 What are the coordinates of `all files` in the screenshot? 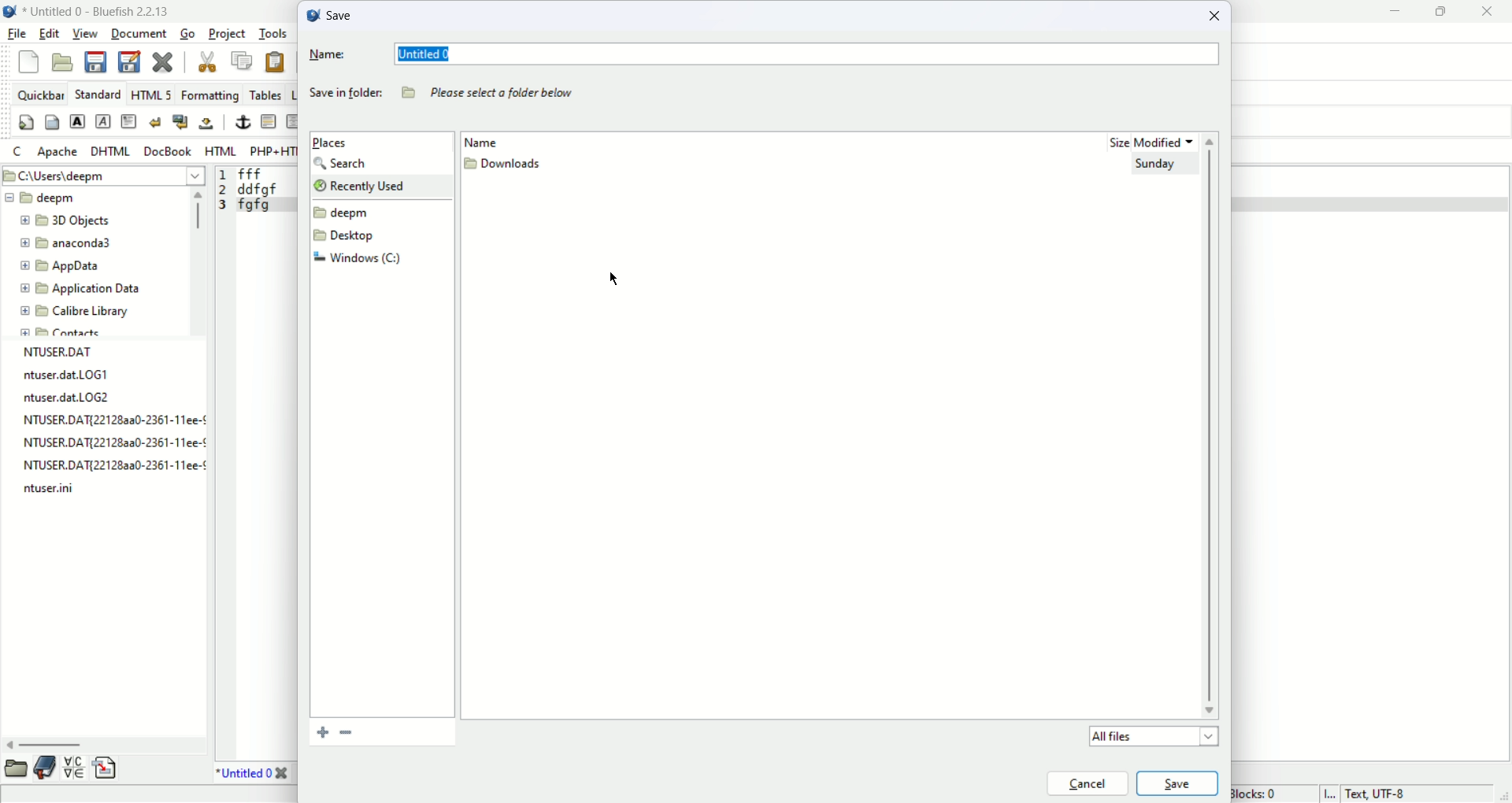 It's located at (1150, 736).